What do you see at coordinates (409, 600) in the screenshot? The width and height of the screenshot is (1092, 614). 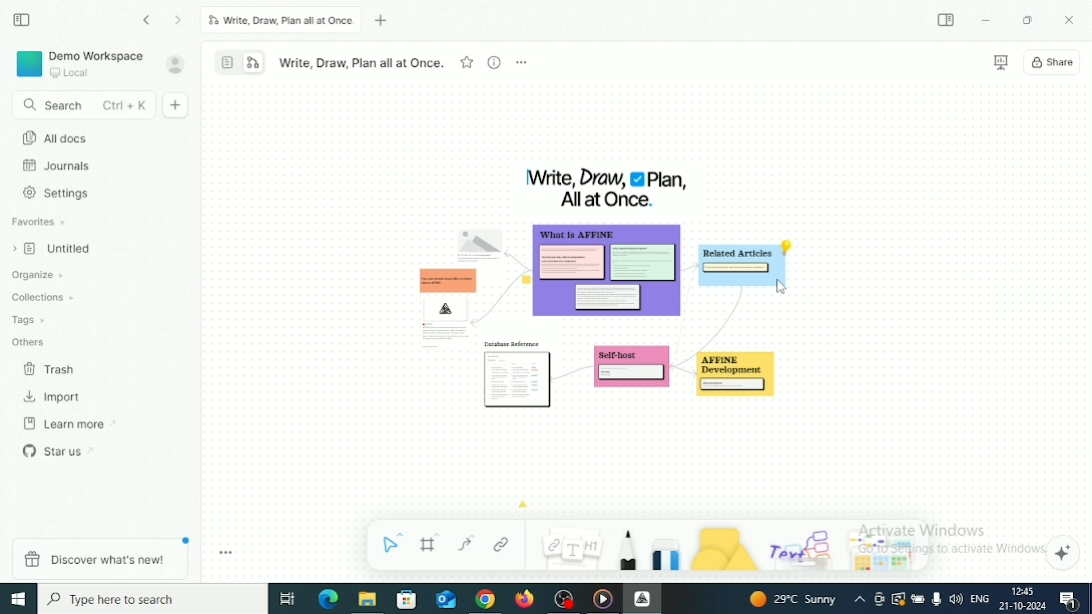 I see `Microsoft store` at bounding box center [409, 600].